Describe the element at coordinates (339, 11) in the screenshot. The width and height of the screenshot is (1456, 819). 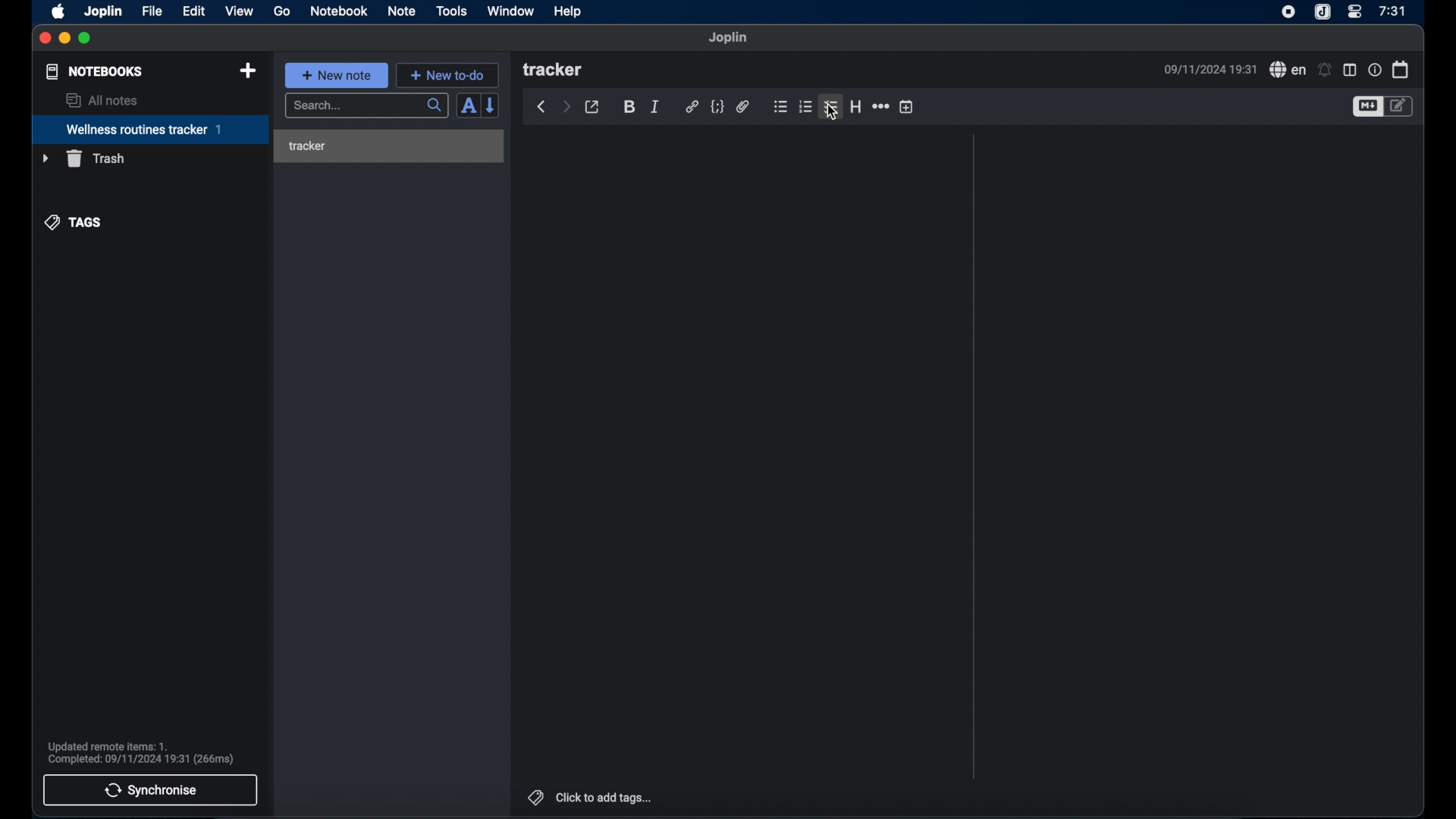
I see `notebook` at that location.